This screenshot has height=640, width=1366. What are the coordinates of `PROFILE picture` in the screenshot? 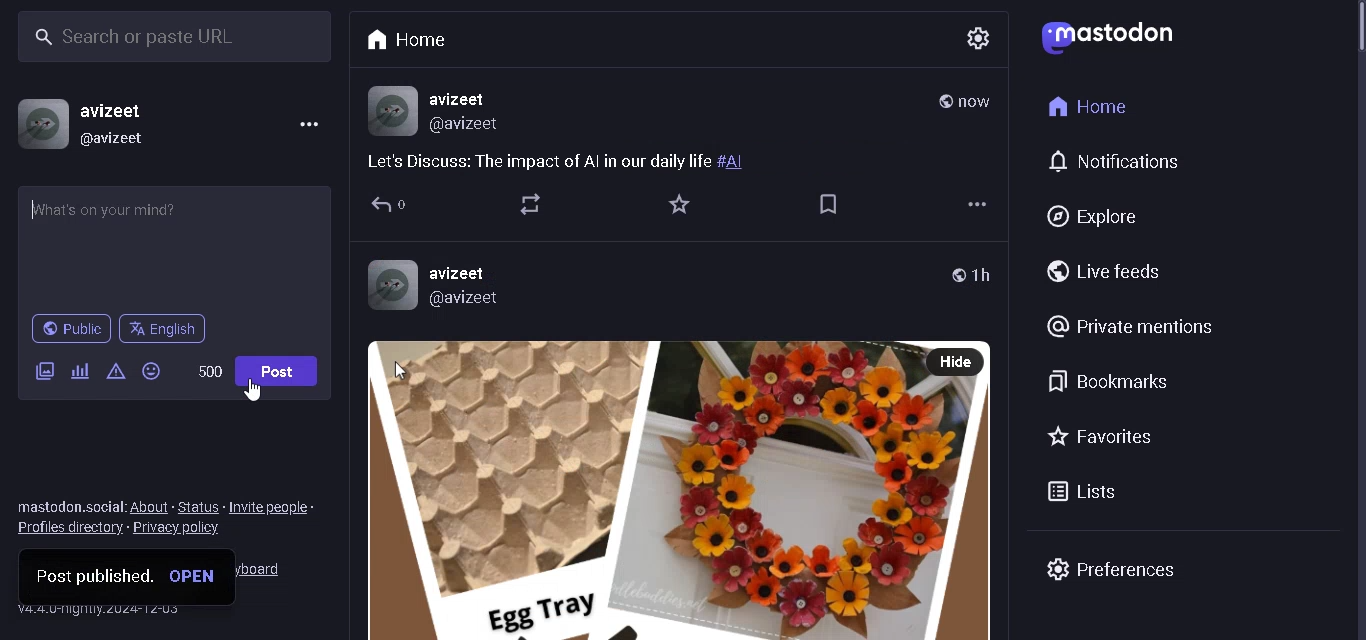 It's located at (389, 111).